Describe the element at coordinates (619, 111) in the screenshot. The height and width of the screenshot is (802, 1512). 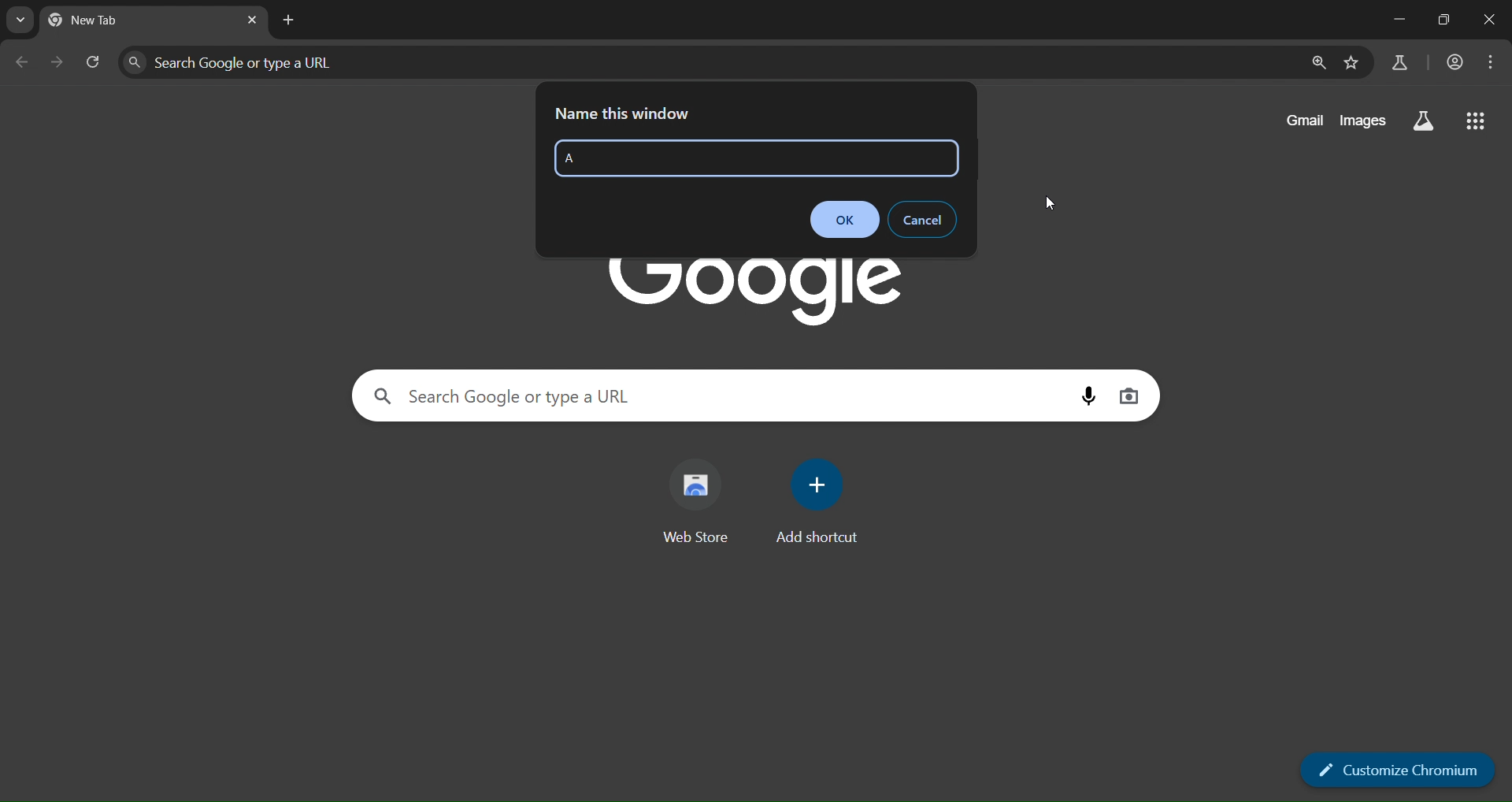
I see `name this window` at that location.